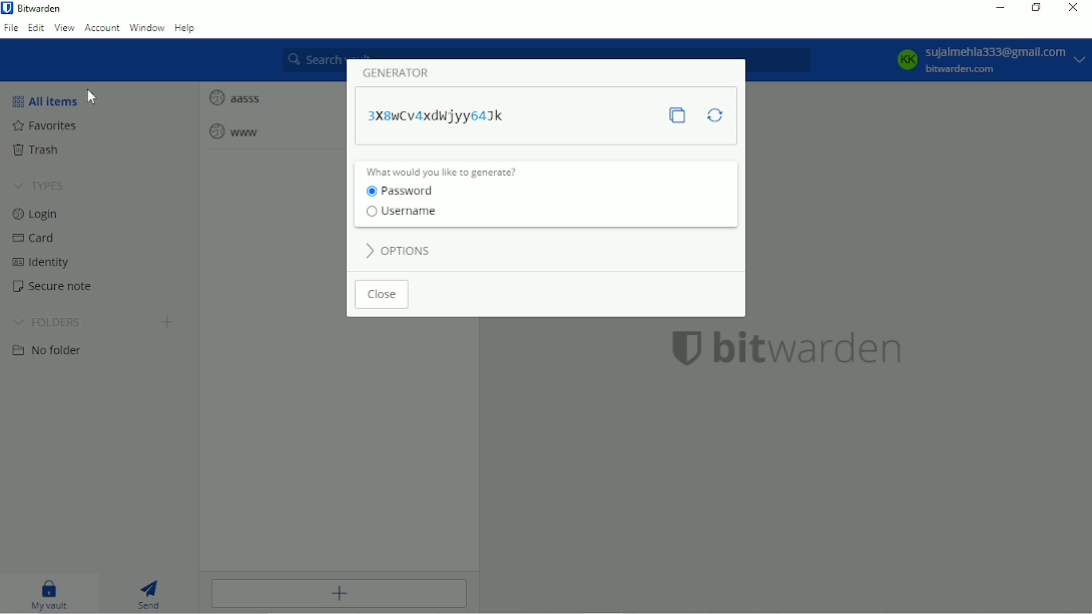  I want to click on No folder, so click(48, 350).